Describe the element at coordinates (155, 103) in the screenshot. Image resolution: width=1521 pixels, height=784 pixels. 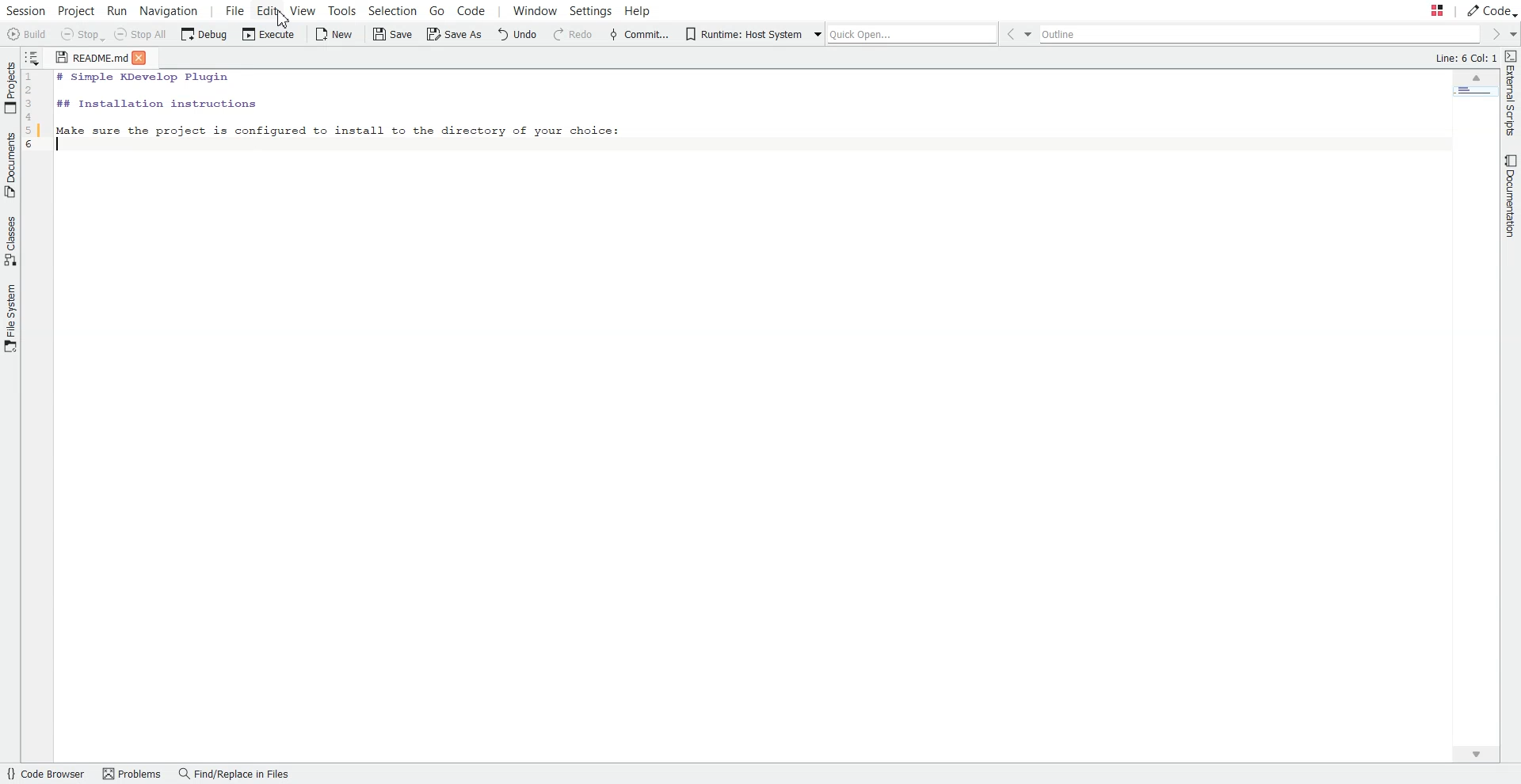
I see `## Installation instructions` at that location.